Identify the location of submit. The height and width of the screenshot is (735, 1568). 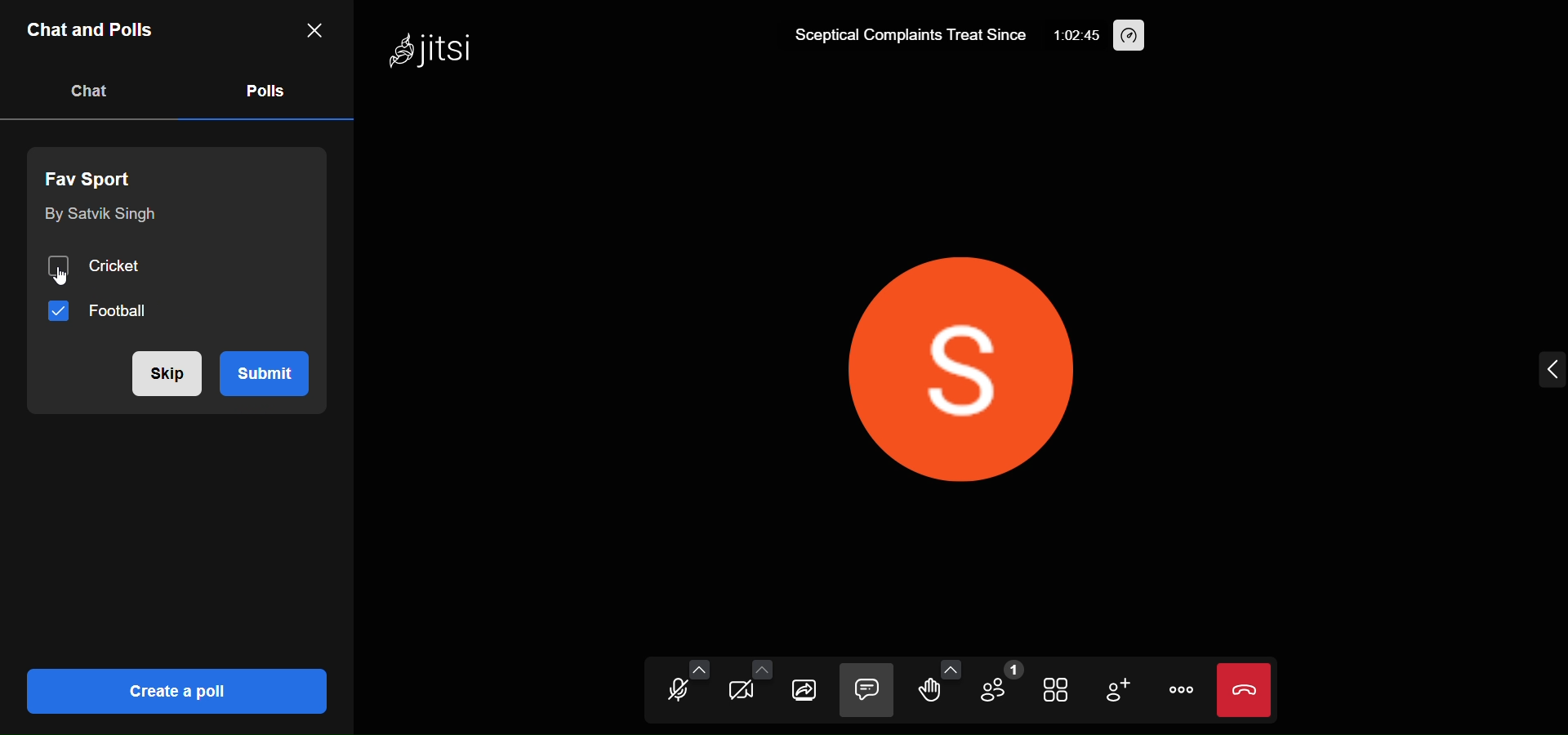
(274, 371).